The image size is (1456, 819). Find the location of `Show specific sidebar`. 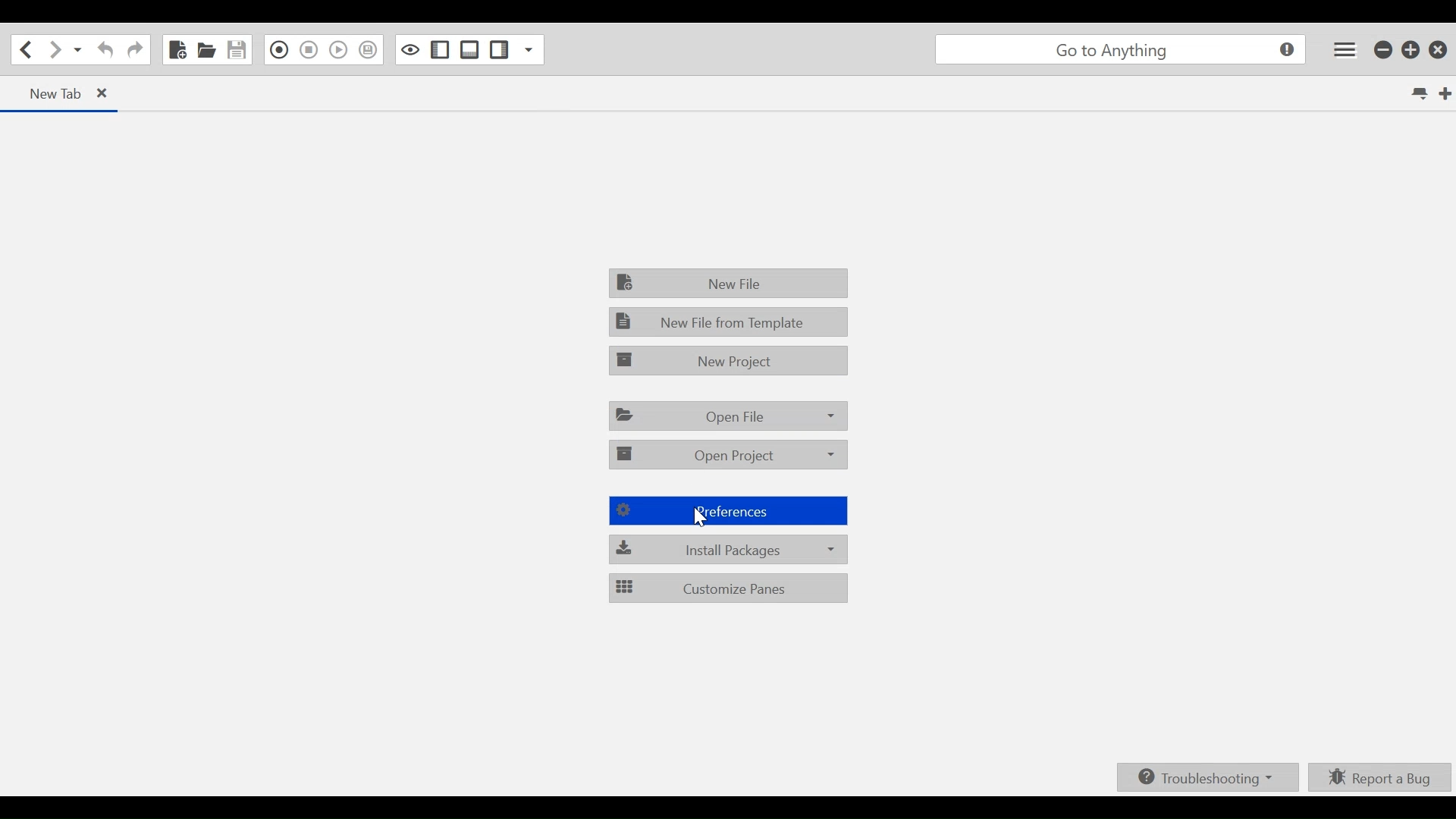

Show specific sidebar is located at coordinates (527, 50).